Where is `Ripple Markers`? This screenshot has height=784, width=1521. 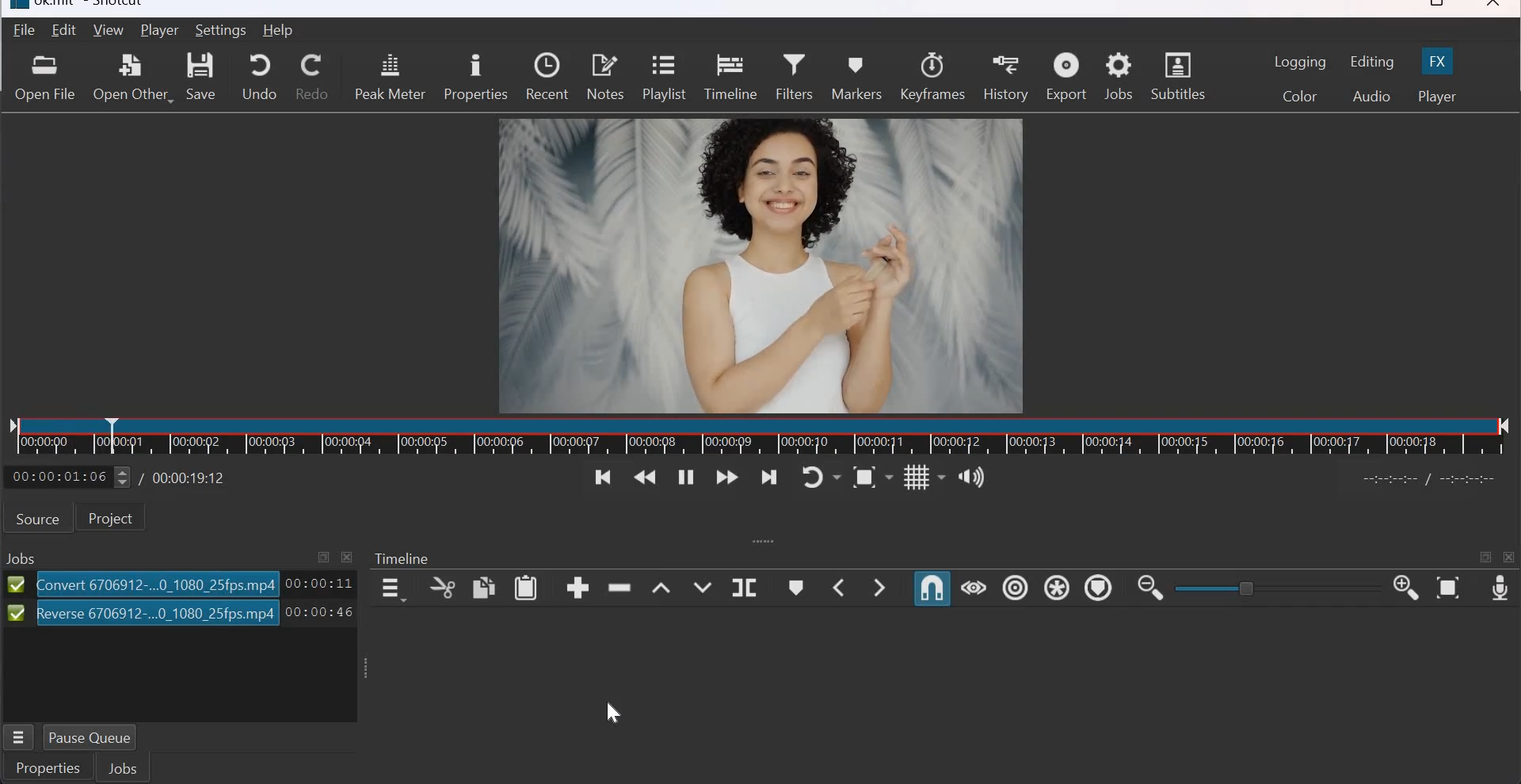 Ripple Markers is located at coordinates (1097, 587).